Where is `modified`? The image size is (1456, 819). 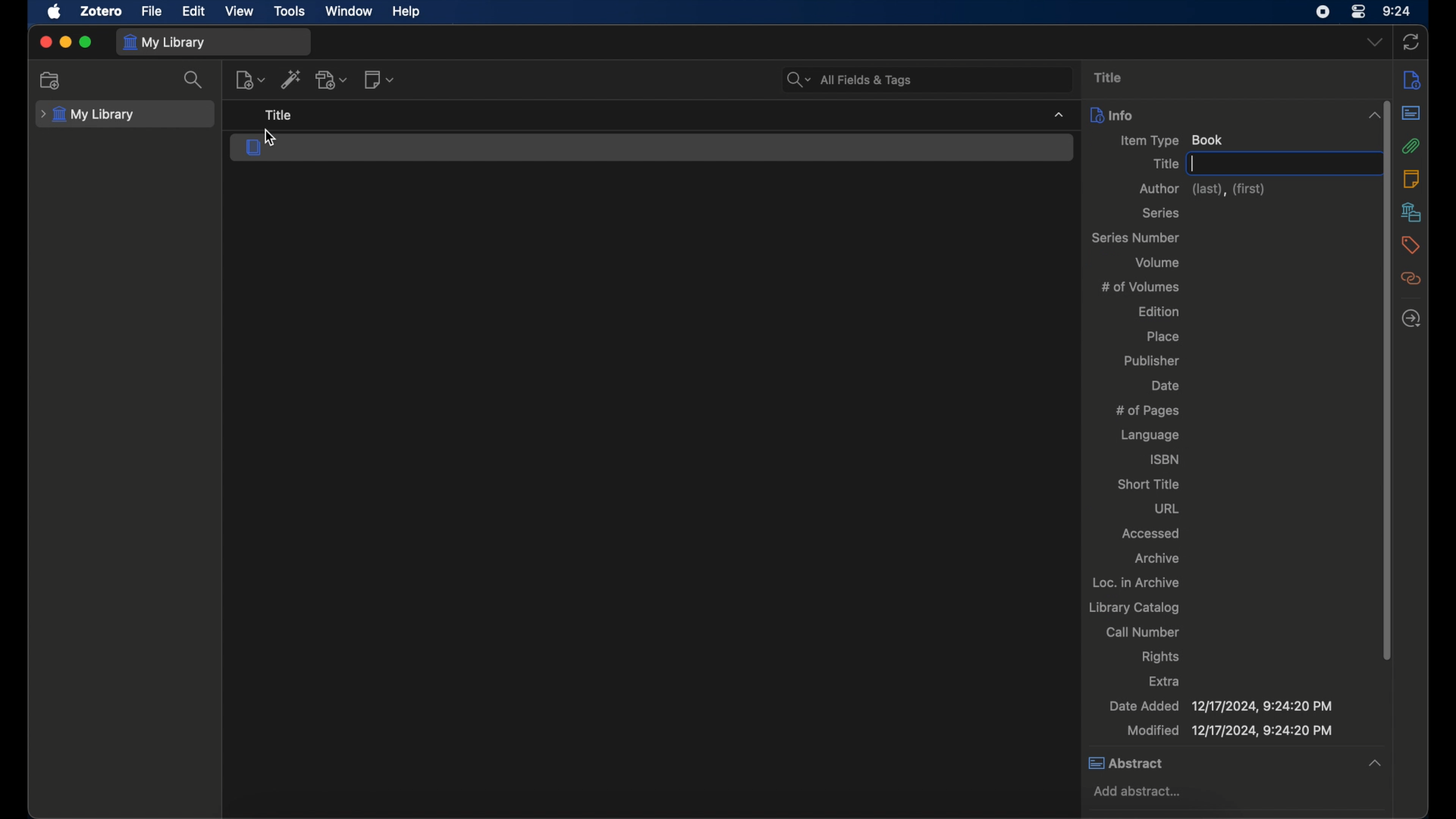 modified is located at coordinates (1230, 732).